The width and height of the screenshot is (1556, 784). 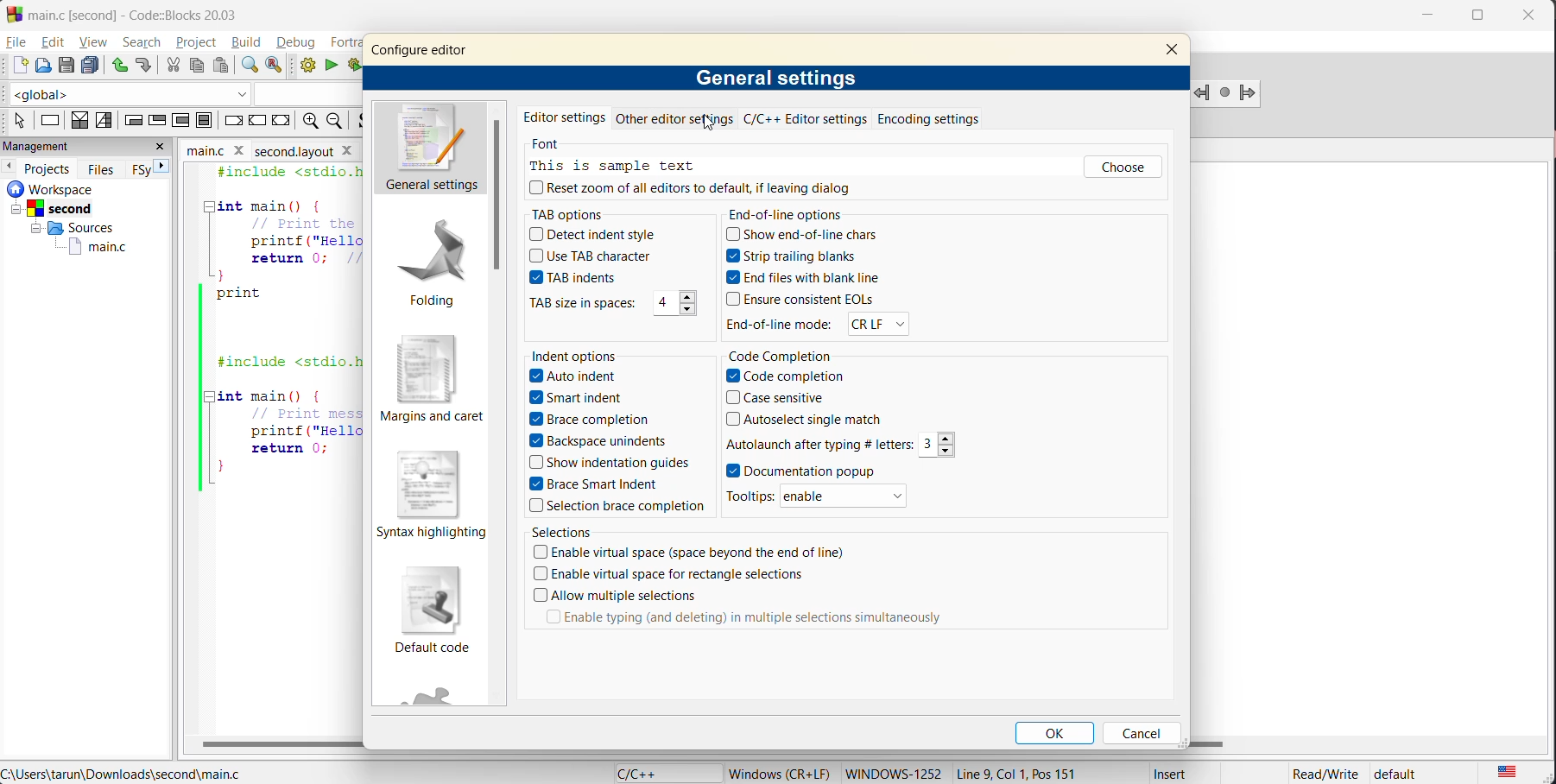 What do you see at coordinates (67, 206) in the screenshot?
I see `Second` at bounding box center [67, 206].